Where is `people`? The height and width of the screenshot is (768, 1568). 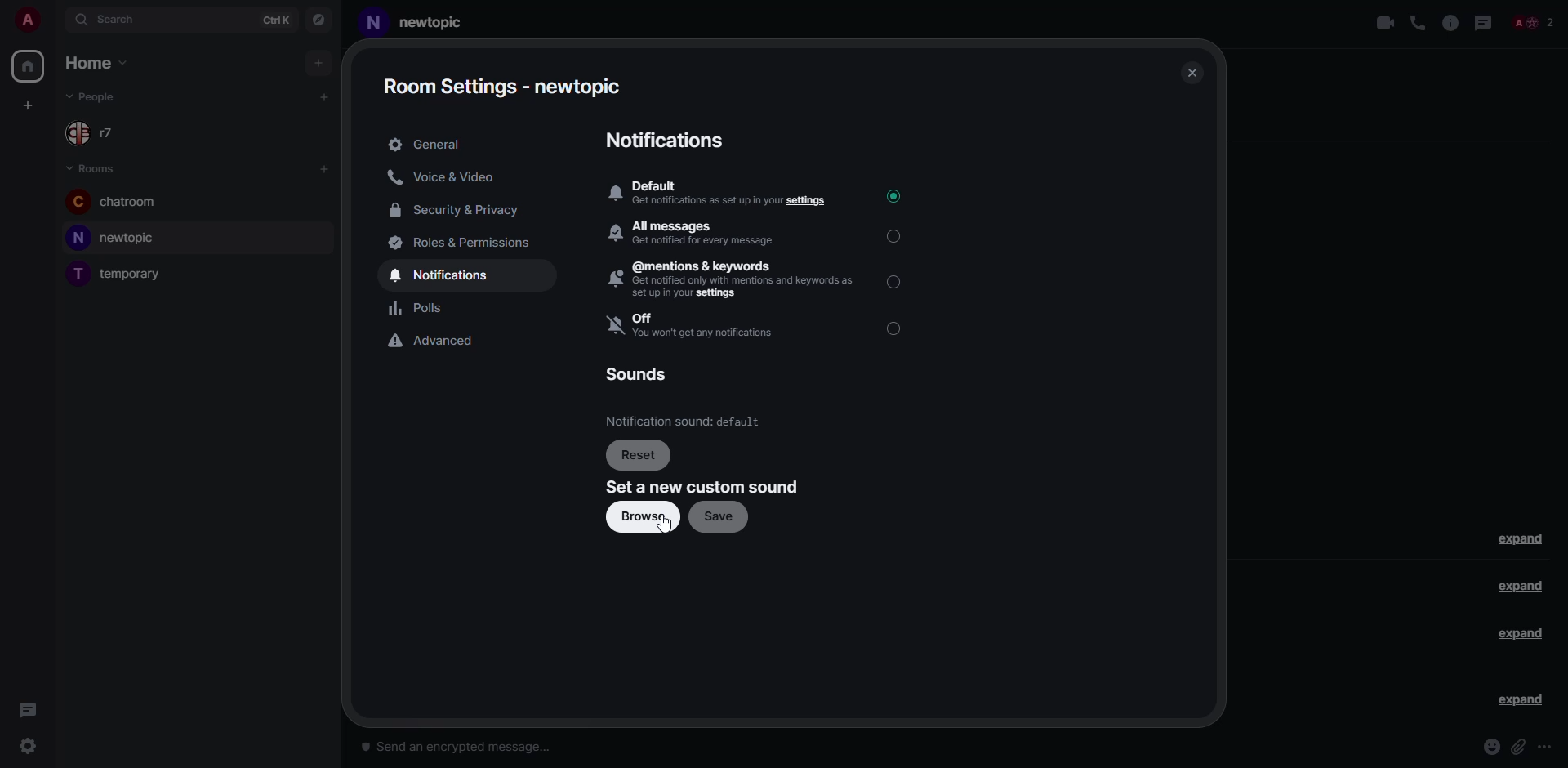
people is located at coordinates (101, 97).